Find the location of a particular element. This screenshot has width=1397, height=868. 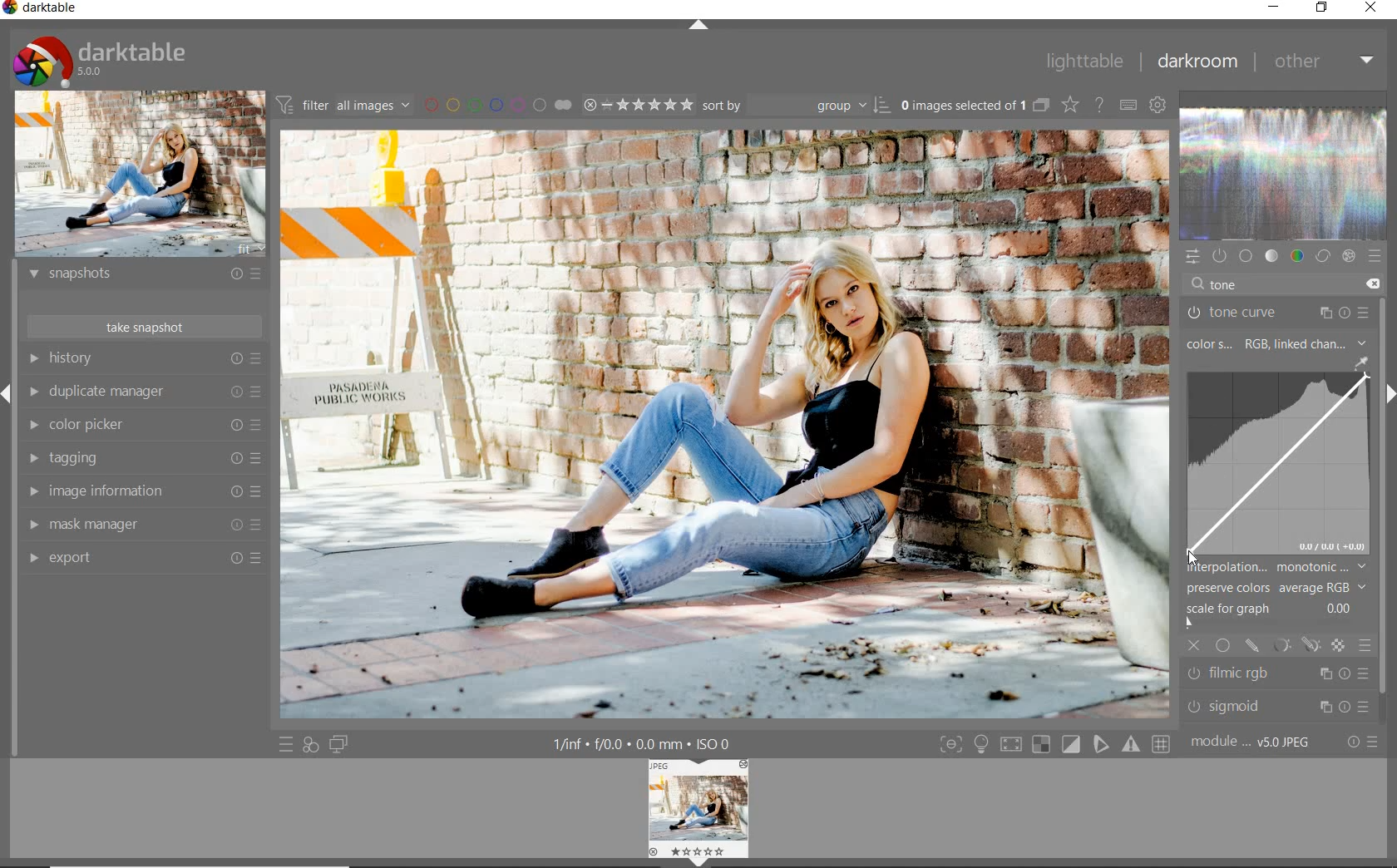

sort is located at coordinates (797, 108).